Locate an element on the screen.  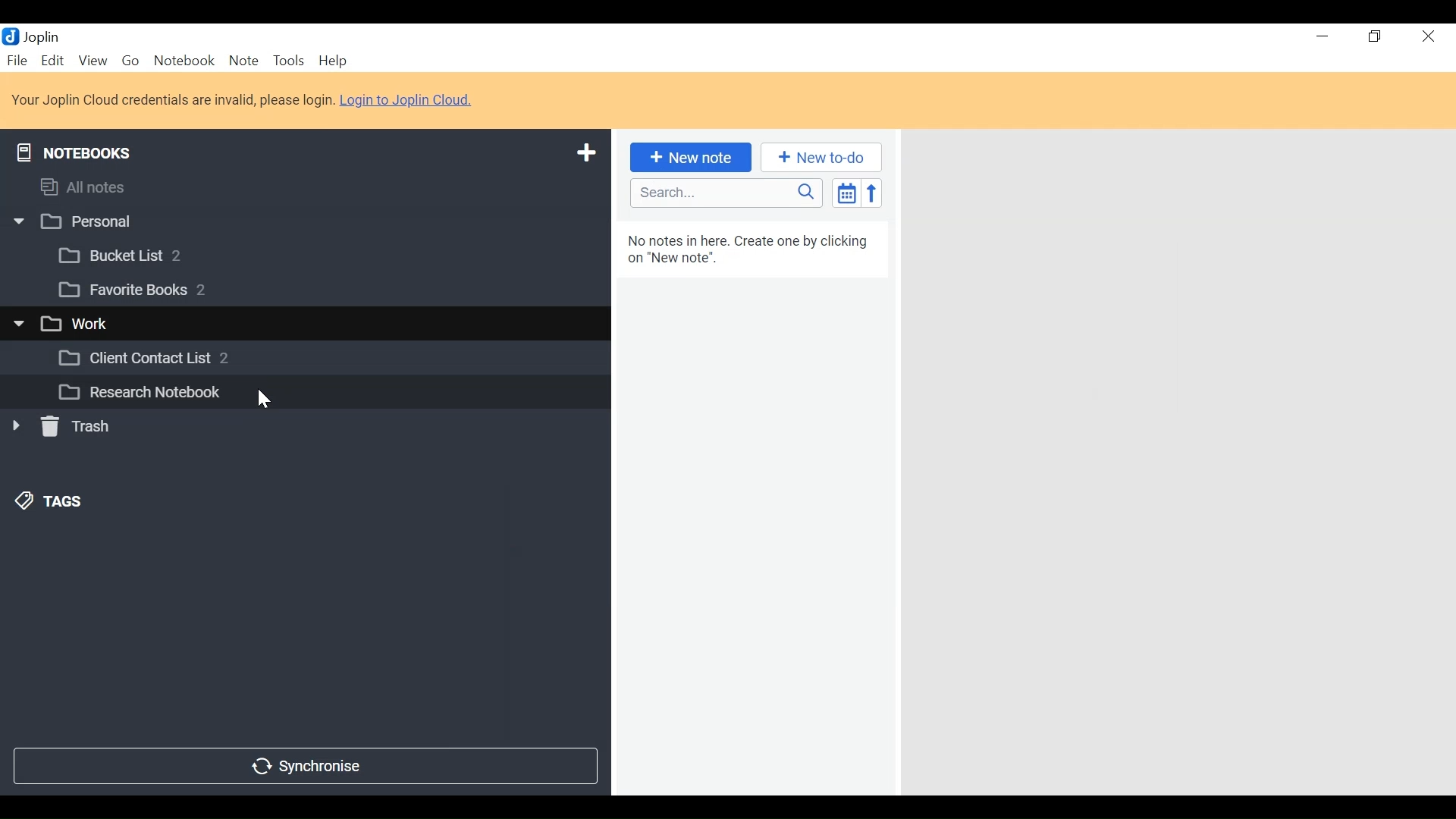
Add New Note is located at coordinates (692, 158).